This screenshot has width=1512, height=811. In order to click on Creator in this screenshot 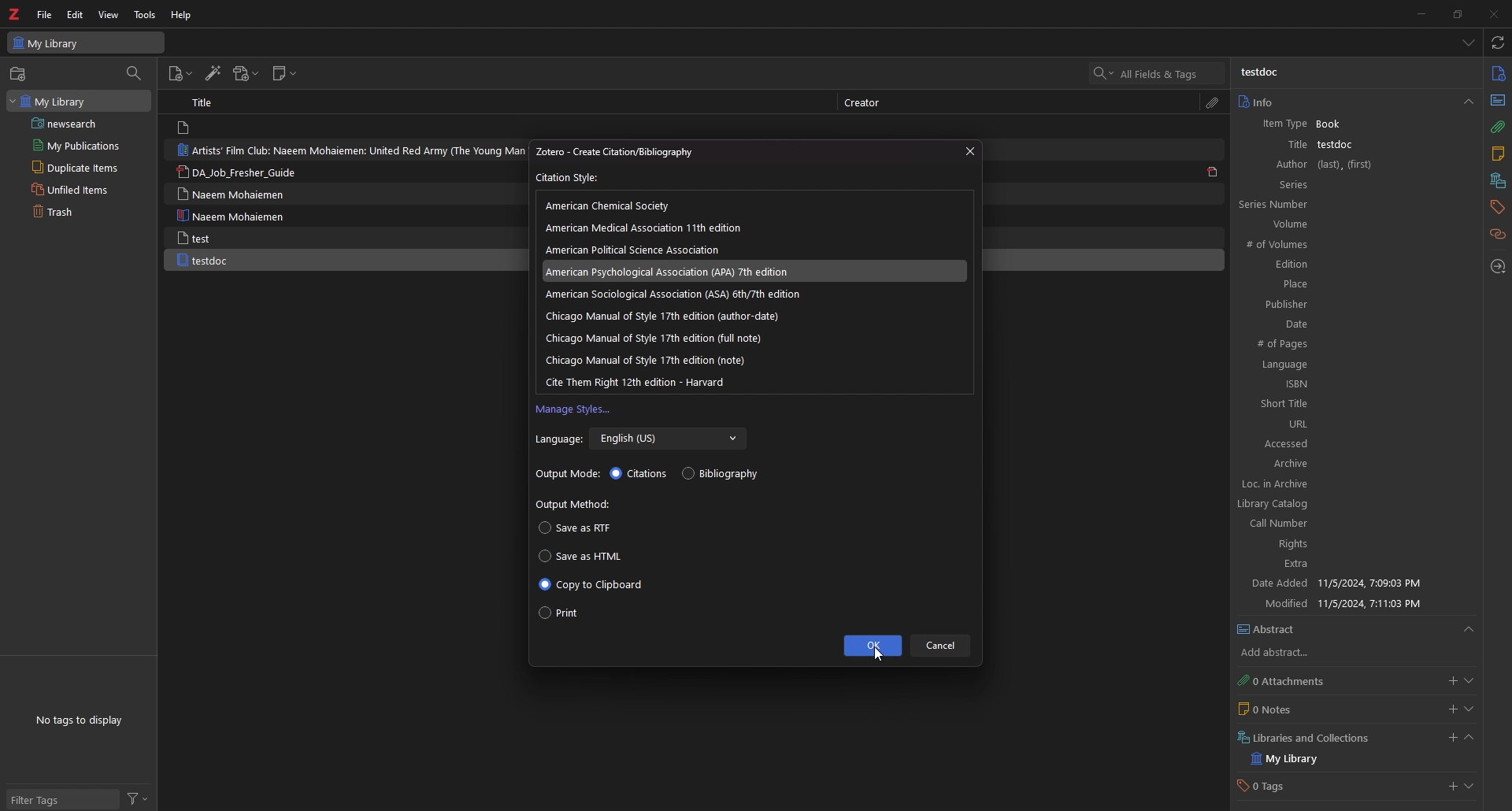, I will do `click(868, 103)`.